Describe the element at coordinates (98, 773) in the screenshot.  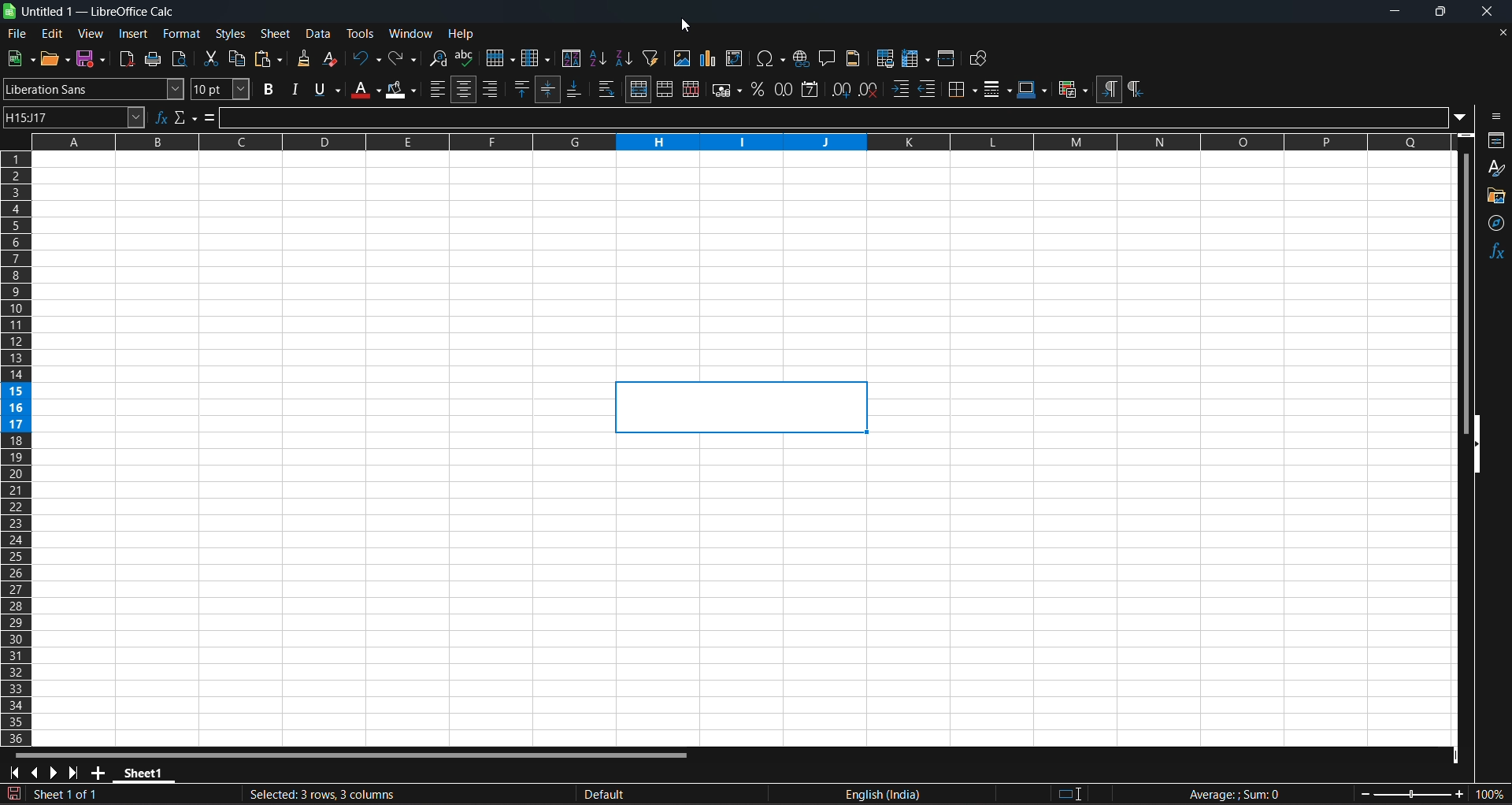
I see `add new sheet` at that location.